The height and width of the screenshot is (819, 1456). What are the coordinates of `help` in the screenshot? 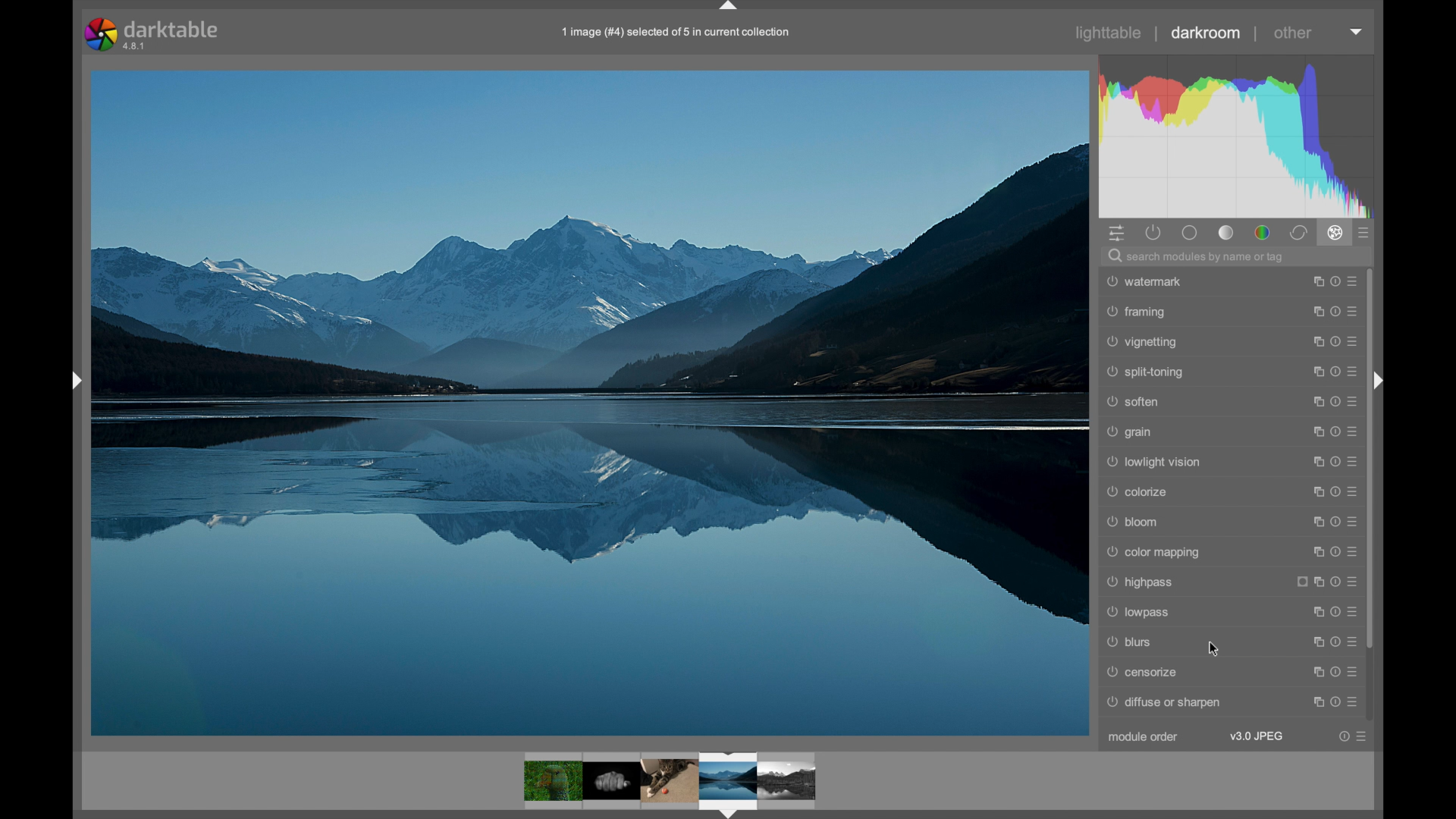 It's located at (1335, 340).